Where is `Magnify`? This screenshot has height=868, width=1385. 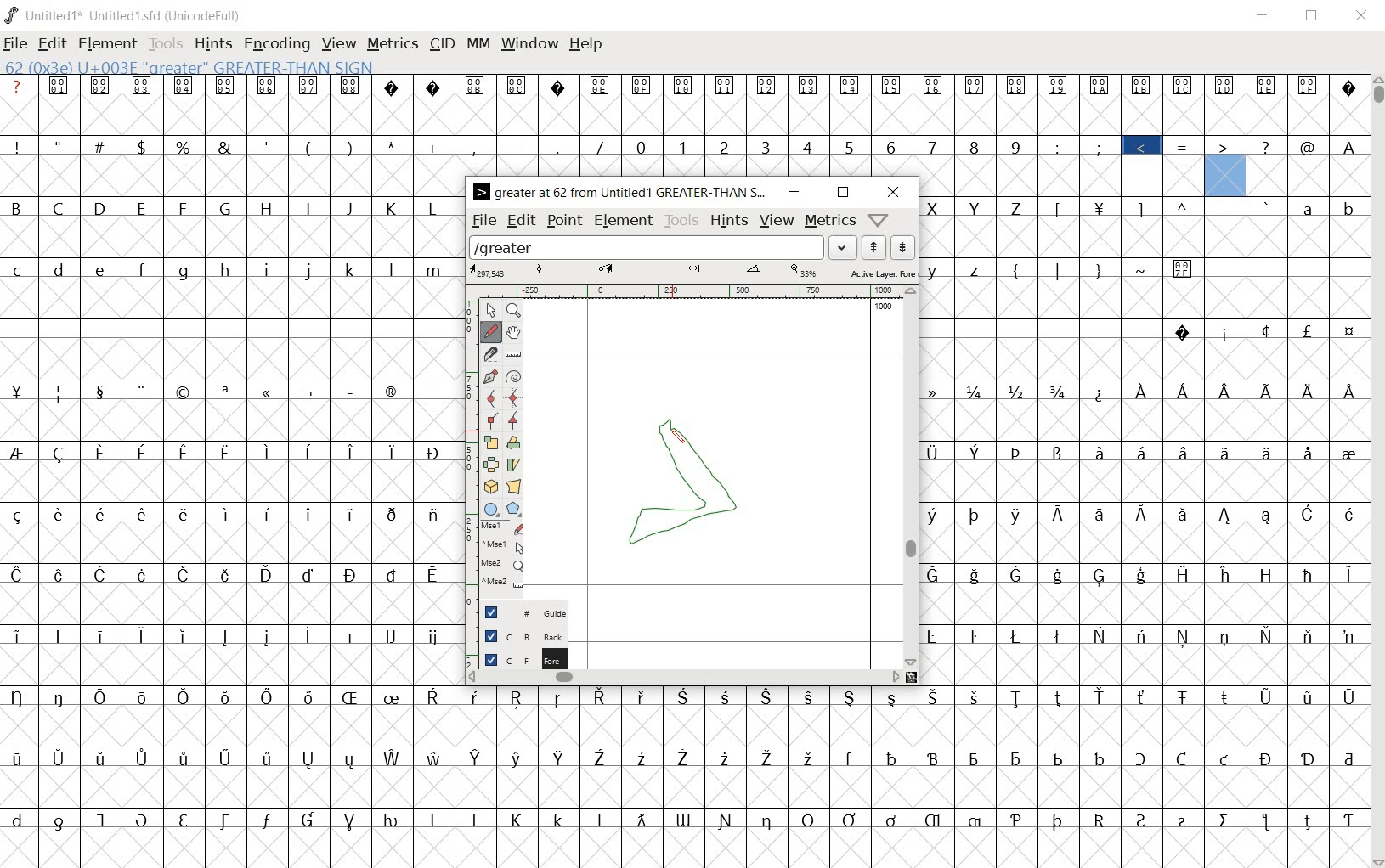 Magnify is located at coordinates (515, 312).